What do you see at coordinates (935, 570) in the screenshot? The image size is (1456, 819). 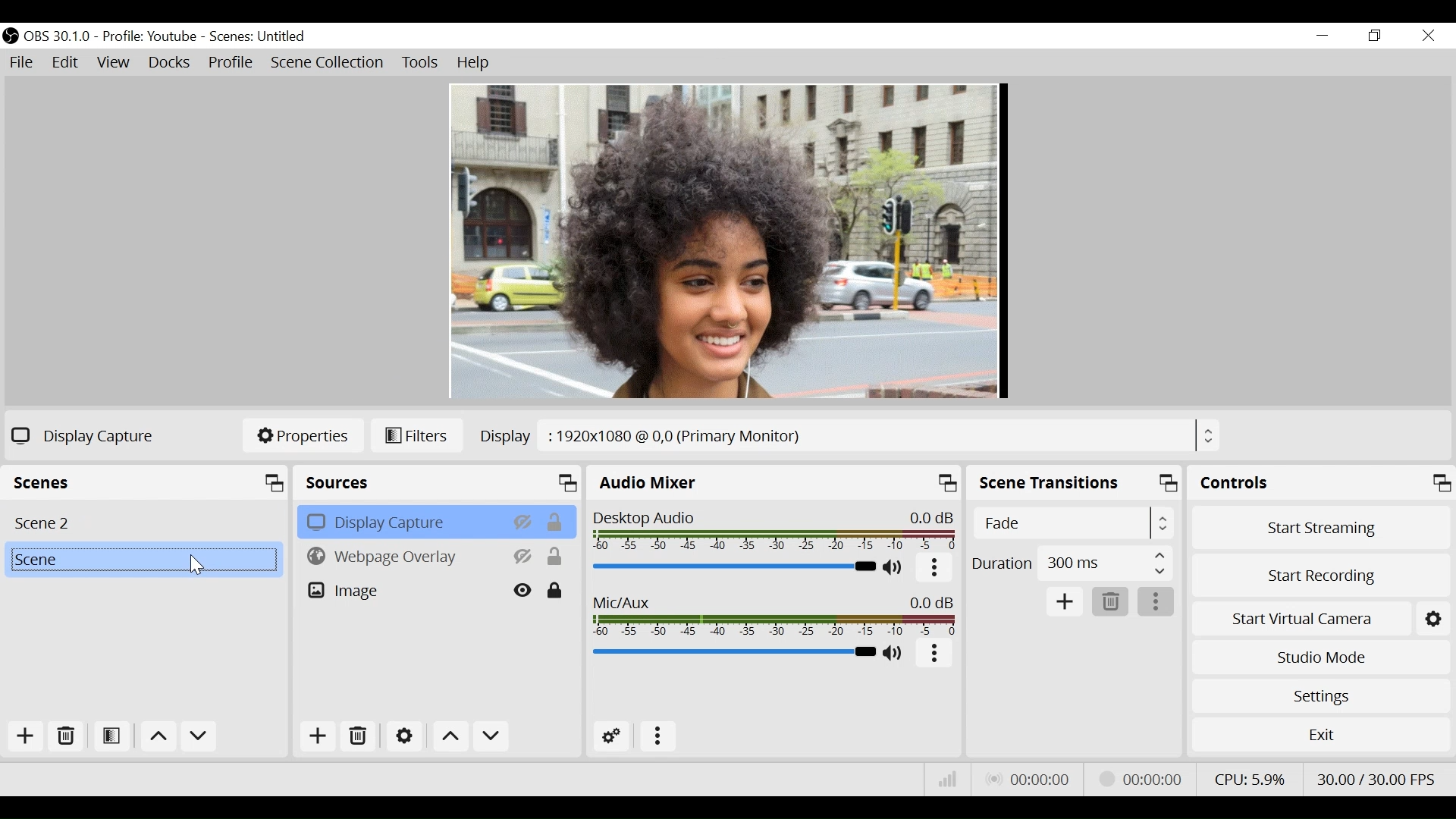 I see `More Options` at bounding box center [935, 570].